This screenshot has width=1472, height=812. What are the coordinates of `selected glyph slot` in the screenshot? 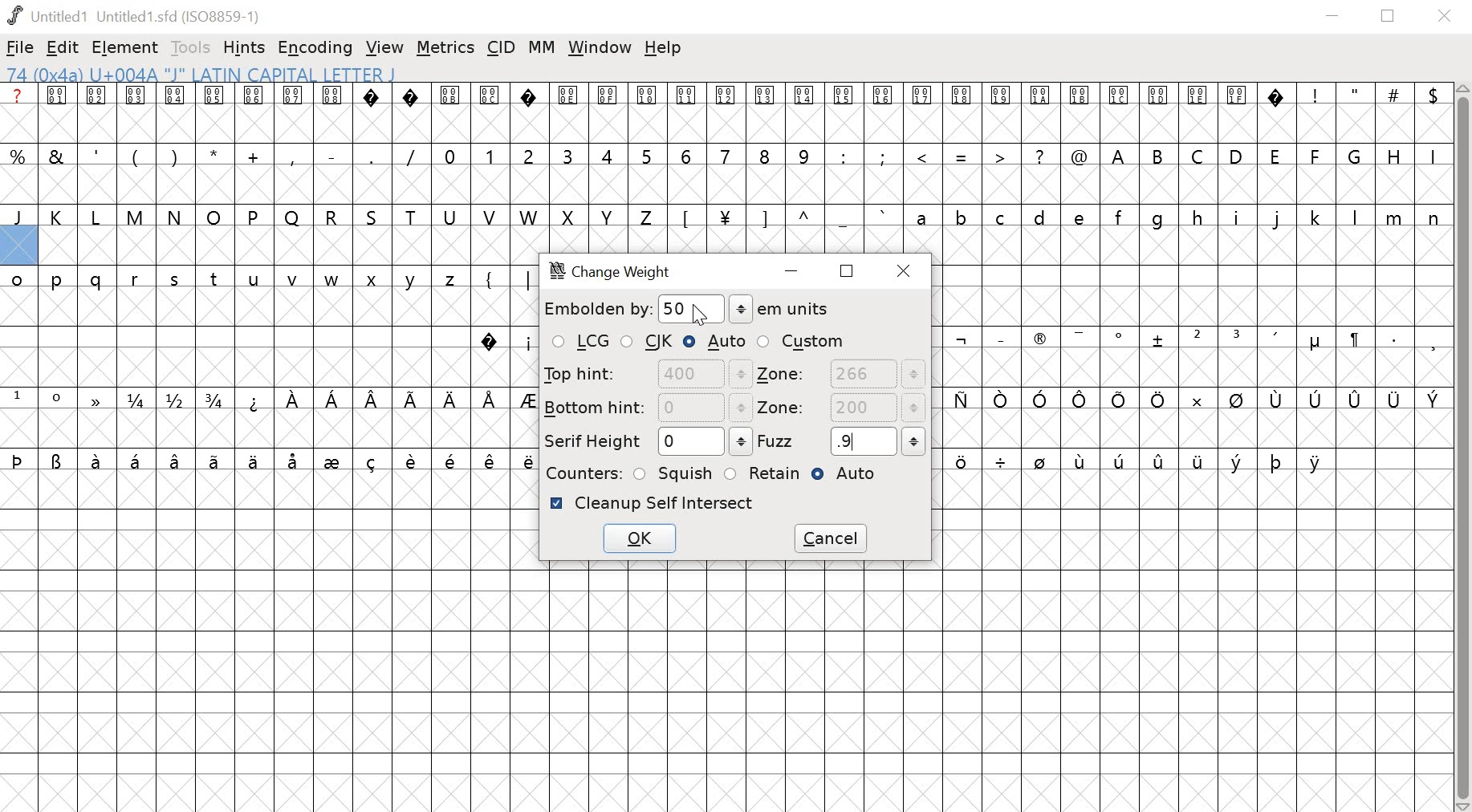 It's located at (18, 246).